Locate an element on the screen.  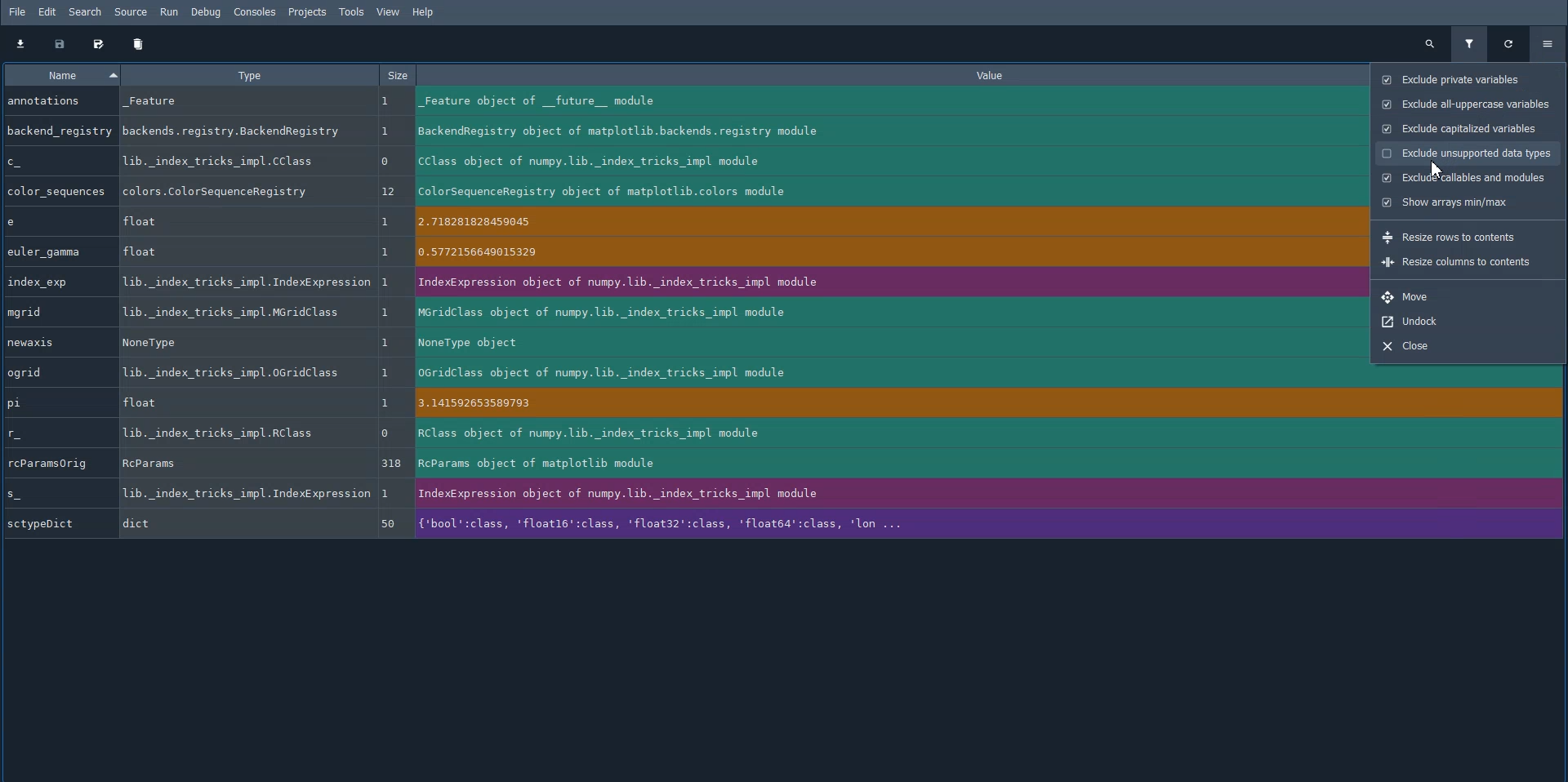
File is located at coordinates (17, 11).